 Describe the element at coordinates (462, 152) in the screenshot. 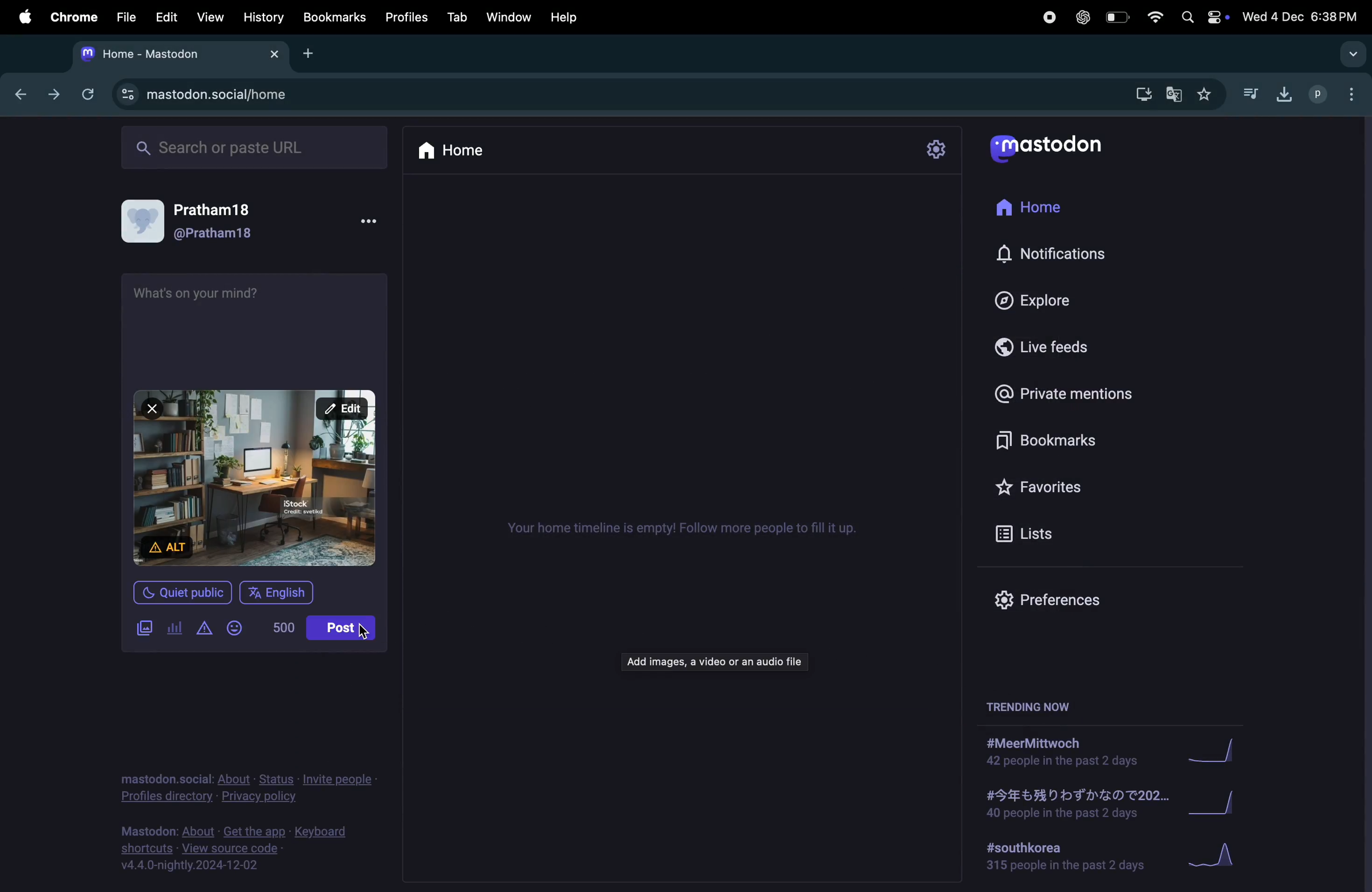

I see `home` at that location.